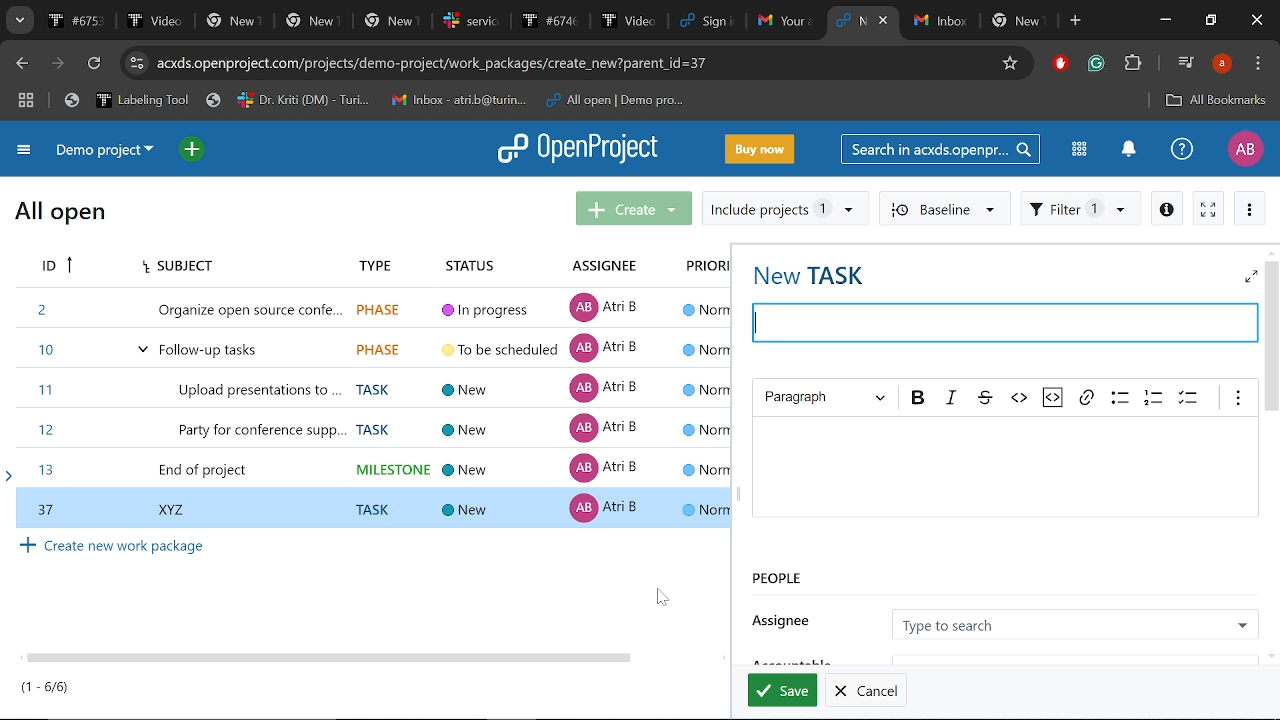 The height and width of the screenshot is (720, 1280). What do you see at coordinates (1216, 102) in the screenshot?
I see `All bookmarks` at bounding box center [1216, 102].